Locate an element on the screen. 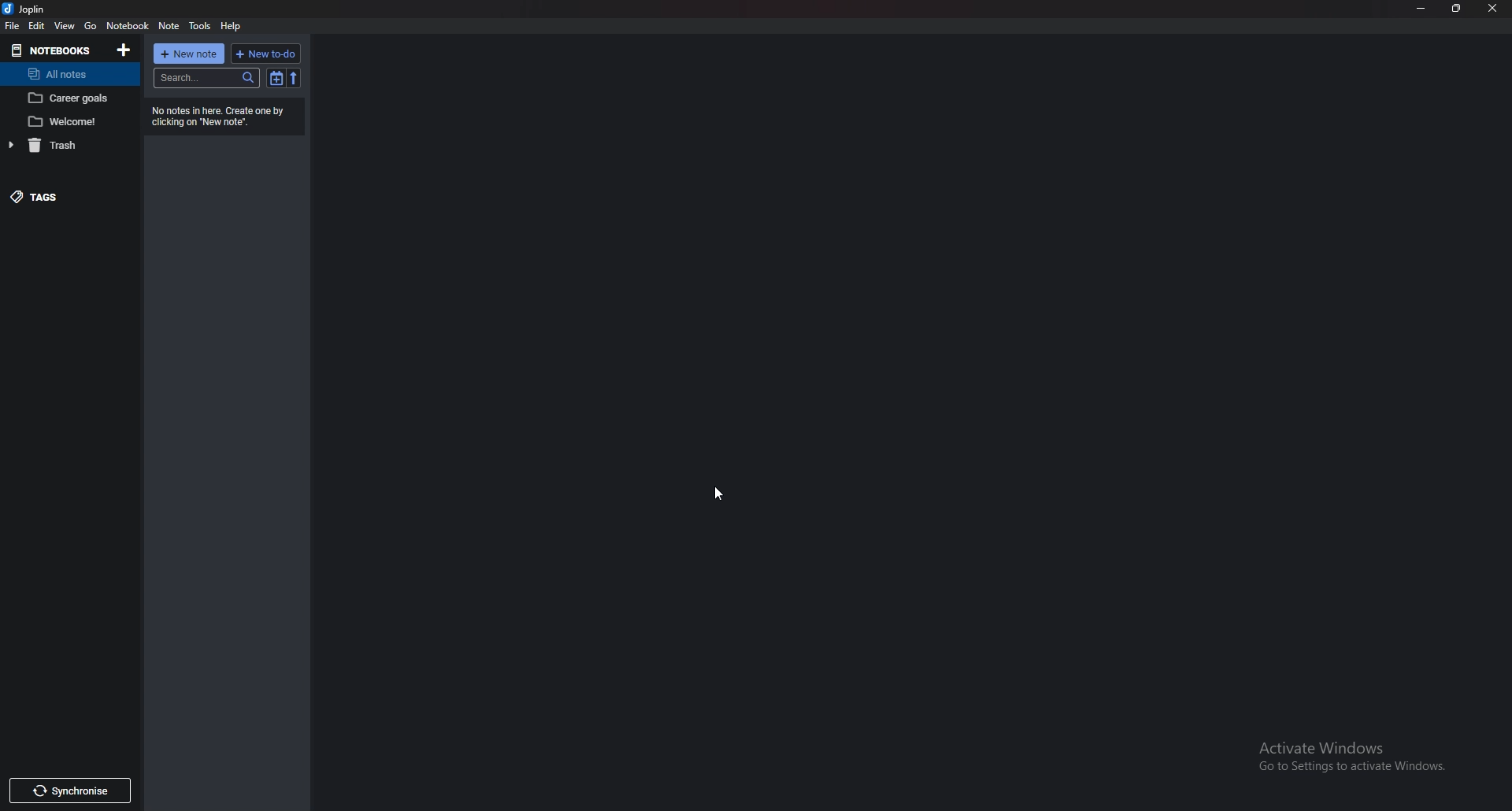  notebooks is located at coordinates (52, 50).